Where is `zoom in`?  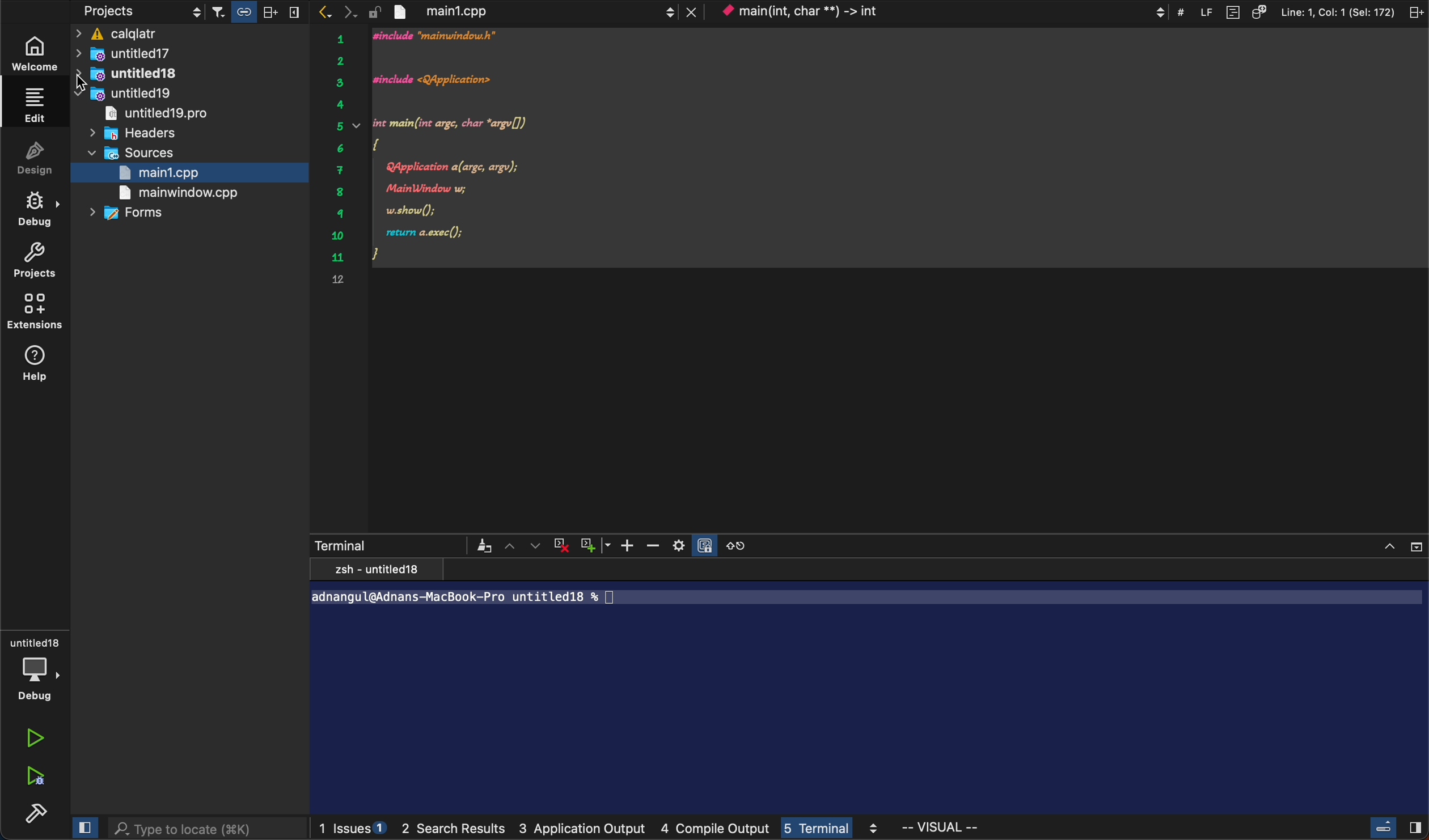 zoom in is located at coordinates (630, 545).